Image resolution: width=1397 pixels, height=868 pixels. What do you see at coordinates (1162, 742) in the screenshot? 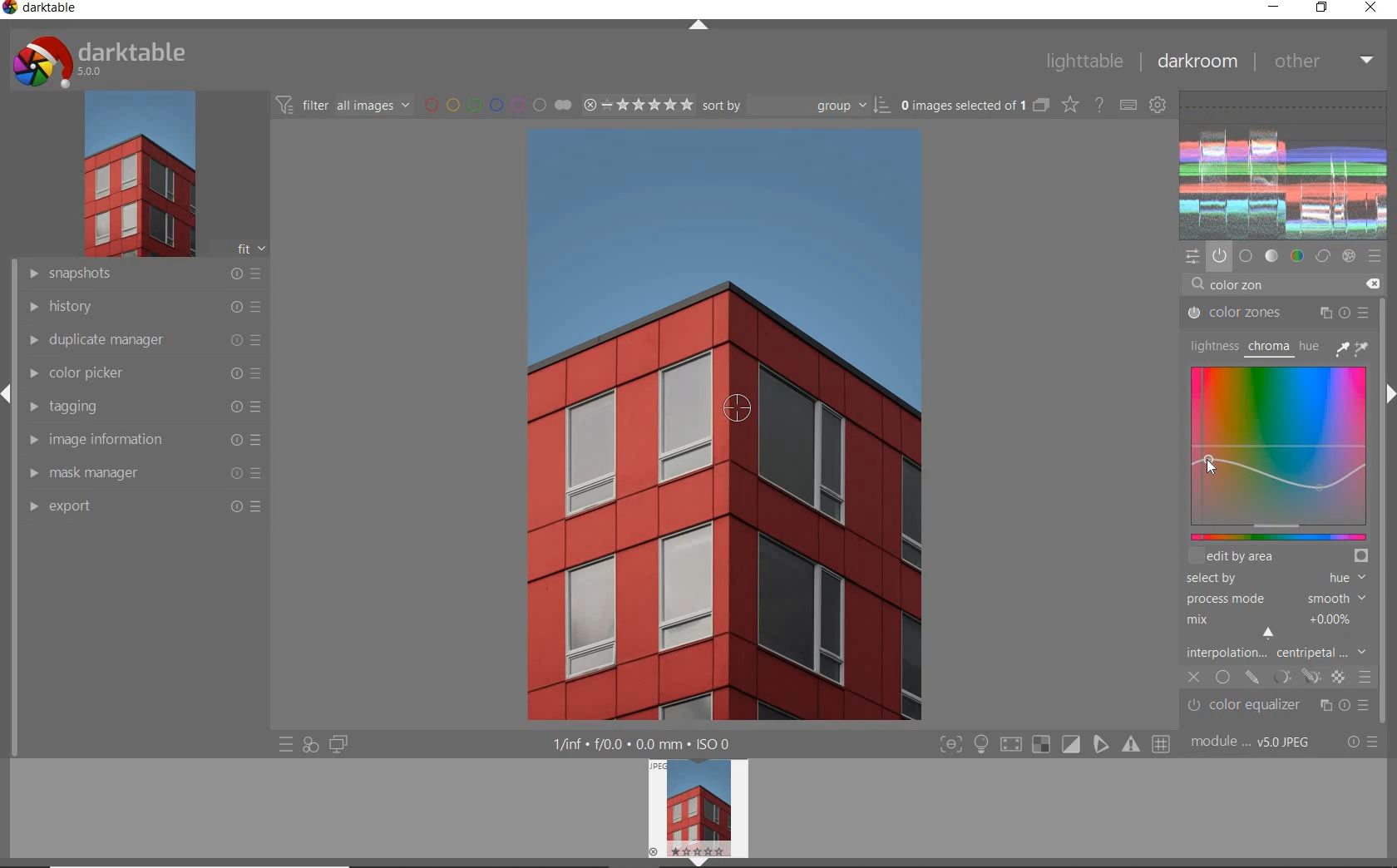
I see `grid overlay` at bounding box center [1162, 742].